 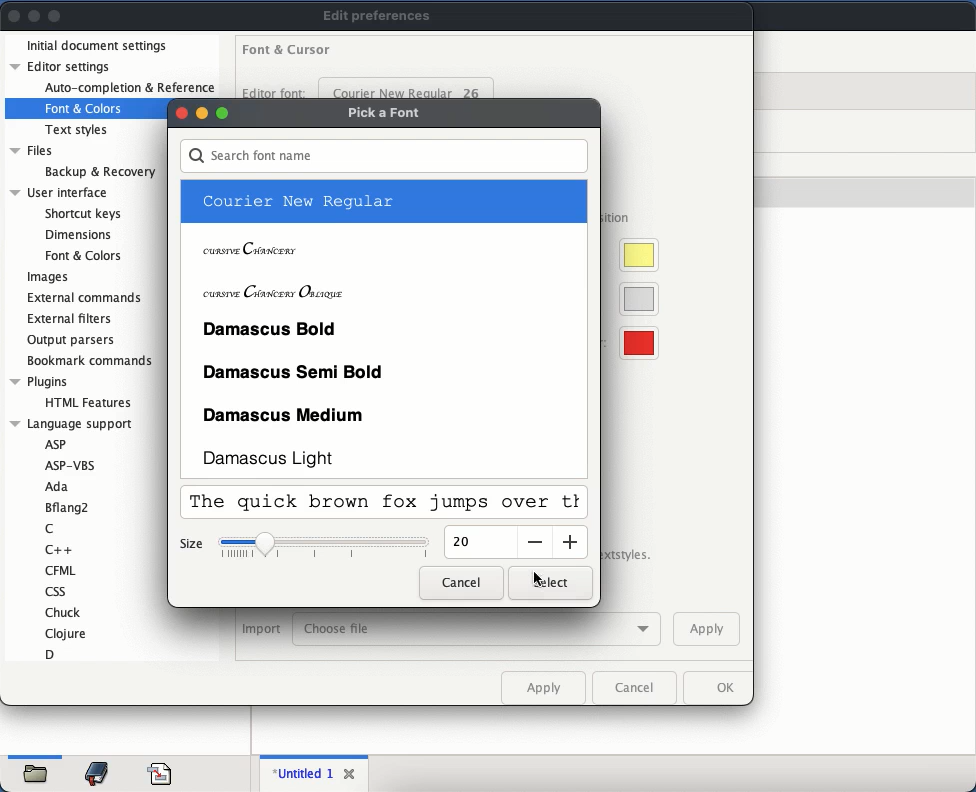 What do you see at coordinates (384, 112) in the screenshot?
I see `pick font` at bounding box center [384, 112].